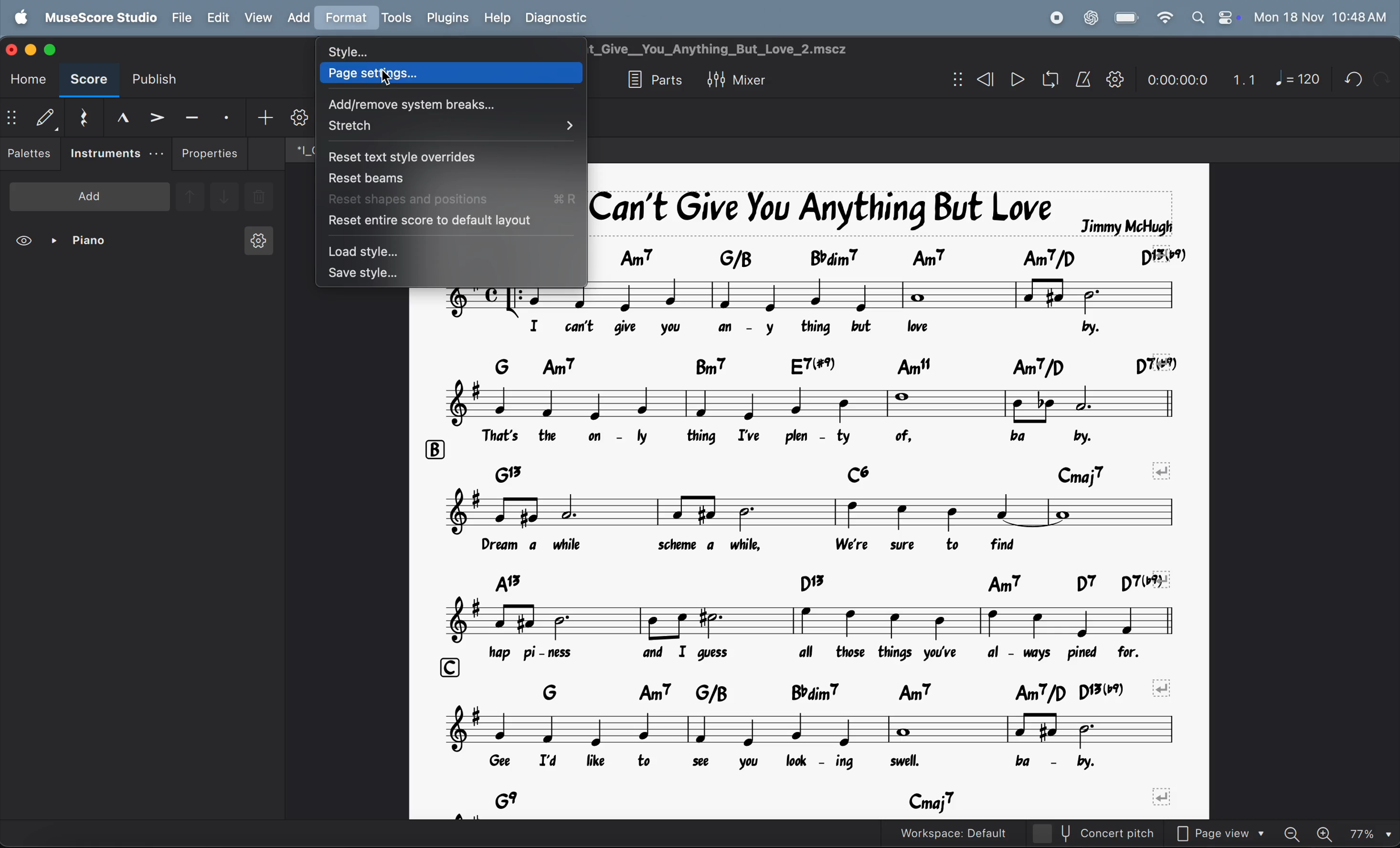 Image resolution: width=1400 pixels, height=848 pixels. What do you see at coordinates (298, 149) in the screenshot?
I see `file name` at bounding box center [298, 149].